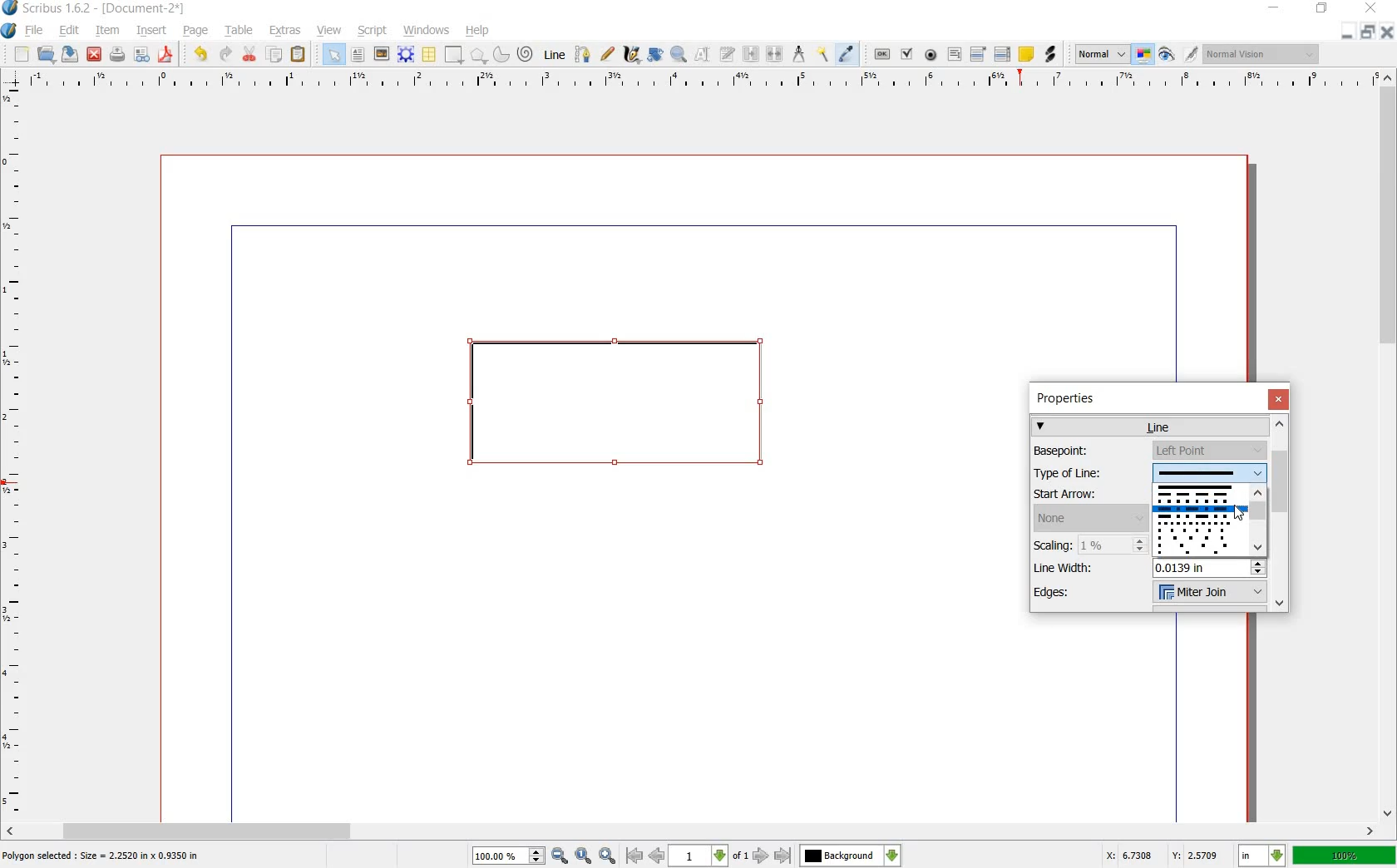 This screenshot has height=868, width=1397. Describe the element at coordinates (382, 53) in the screenshot. I see `IMAGE` at that location.